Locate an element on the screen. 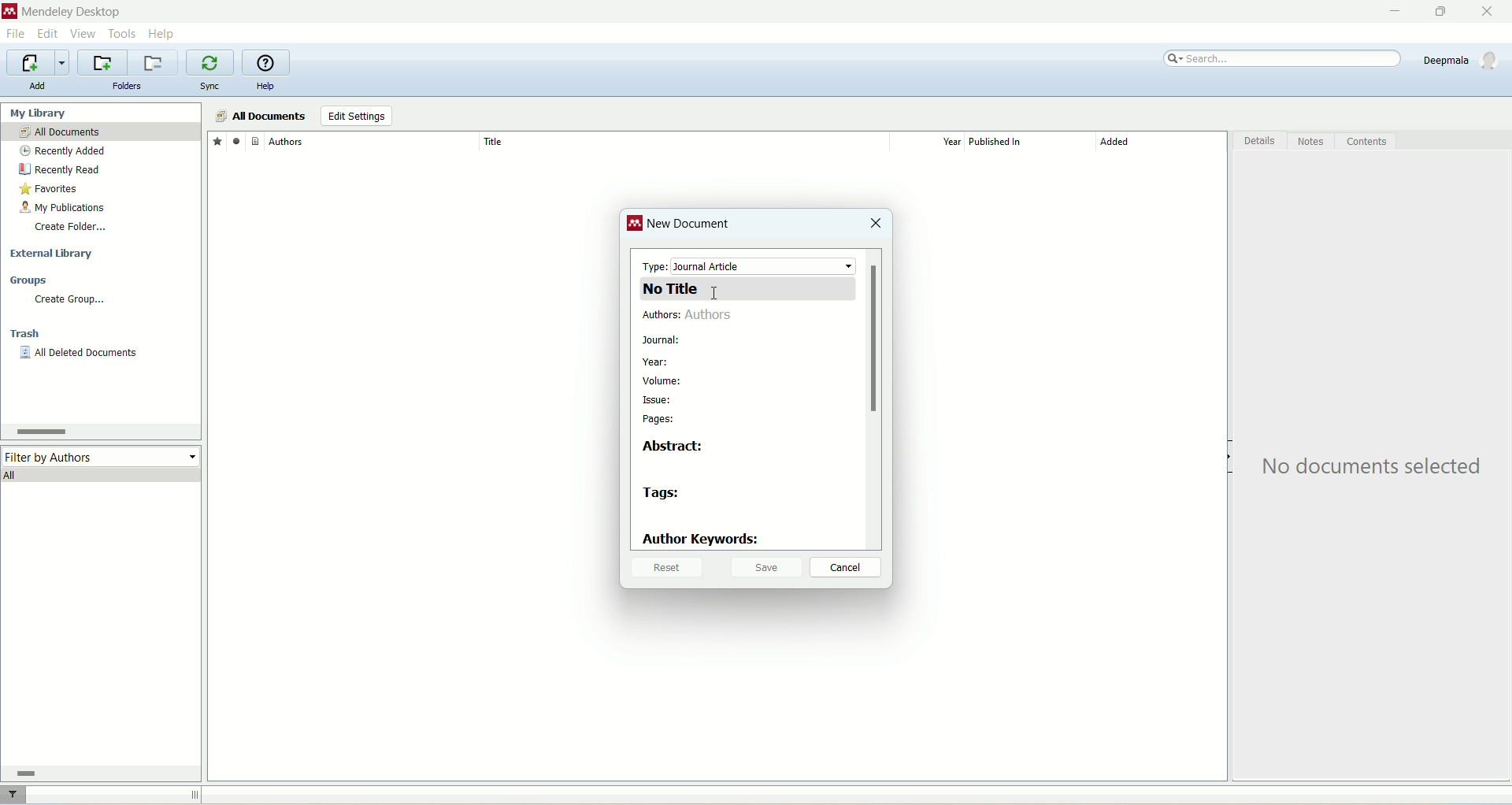 Image resolution: width=1512 pixels, height=805 pixels. my library is located at coordinates (40, 113).